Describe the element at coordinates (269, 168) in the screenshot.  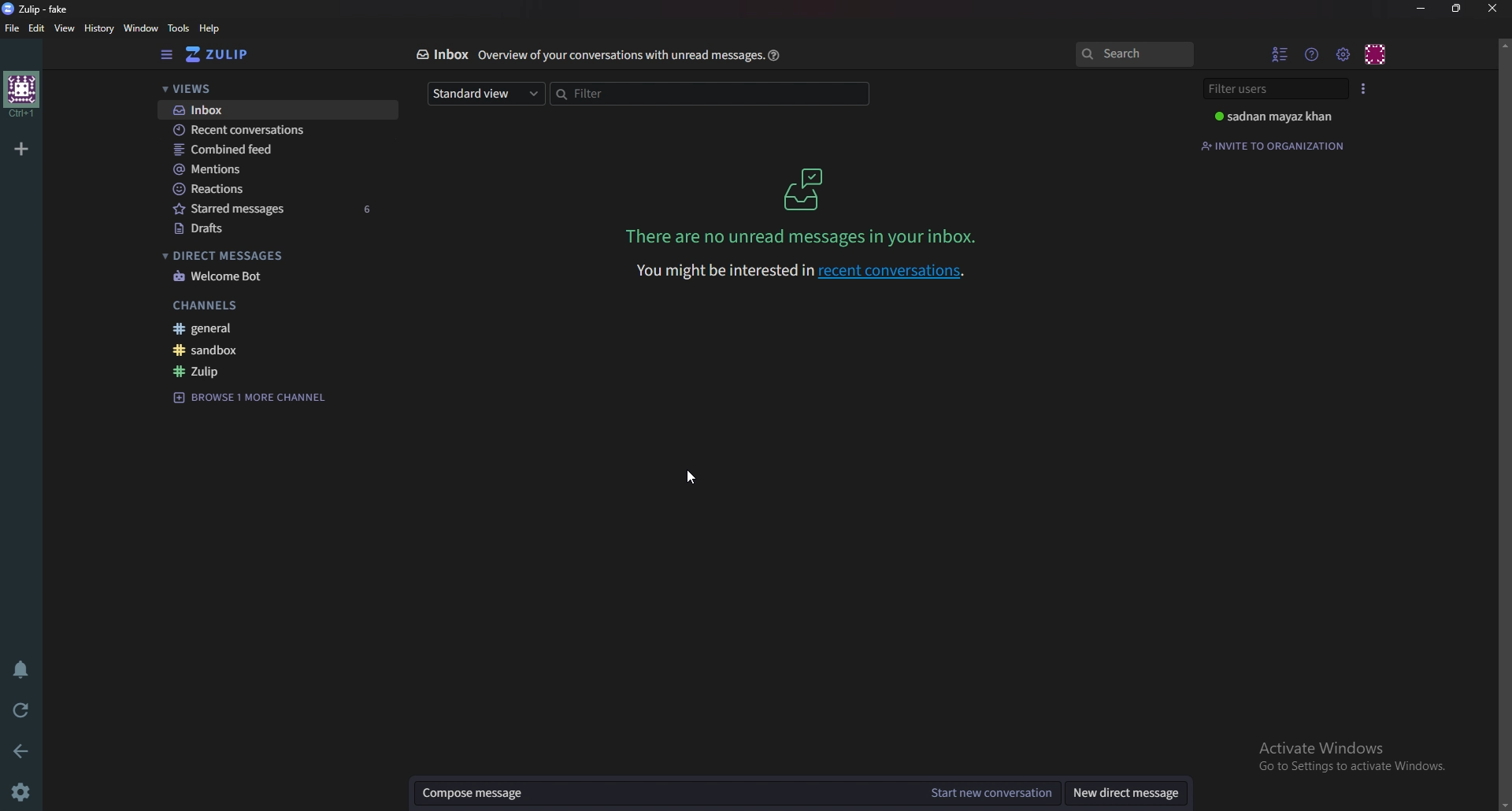
I see `Mentions` at that location.